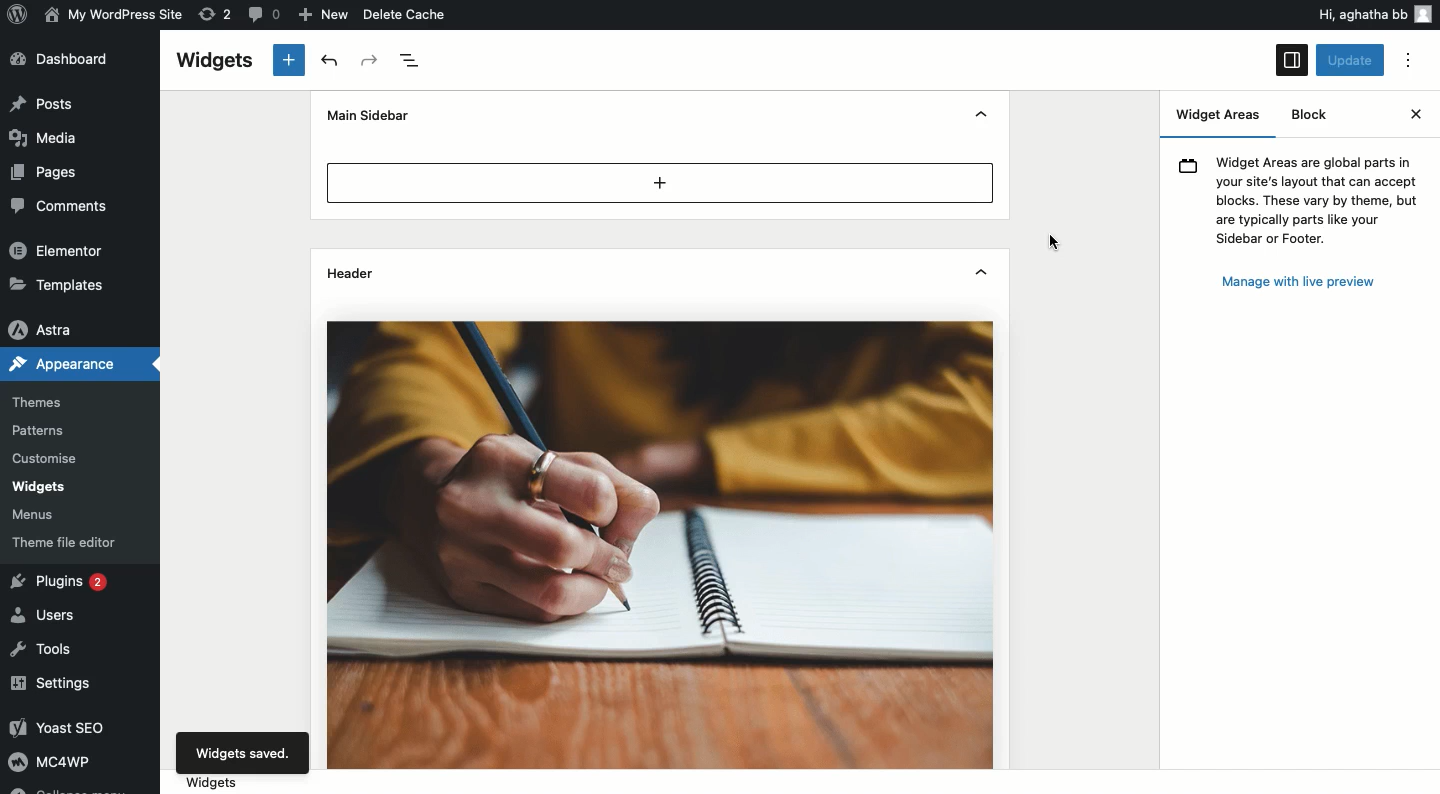  What do you see at coordinates (63, 583) in the screenshot?
I see `Plugins` at bounding box center [63, 583].